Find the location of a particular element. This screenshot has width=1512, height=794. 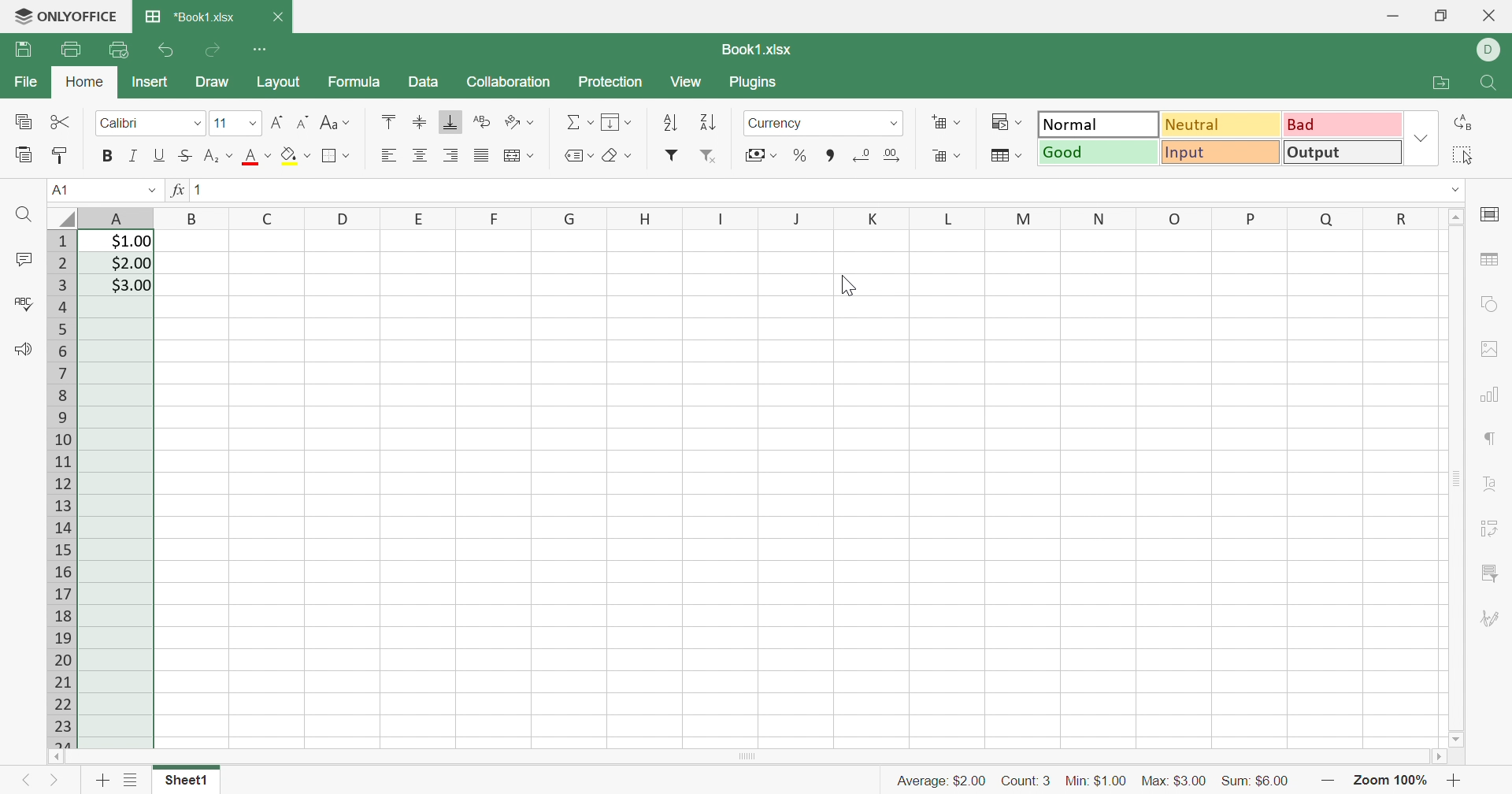

Pivot table settings is located at coordinates (1491, 530).